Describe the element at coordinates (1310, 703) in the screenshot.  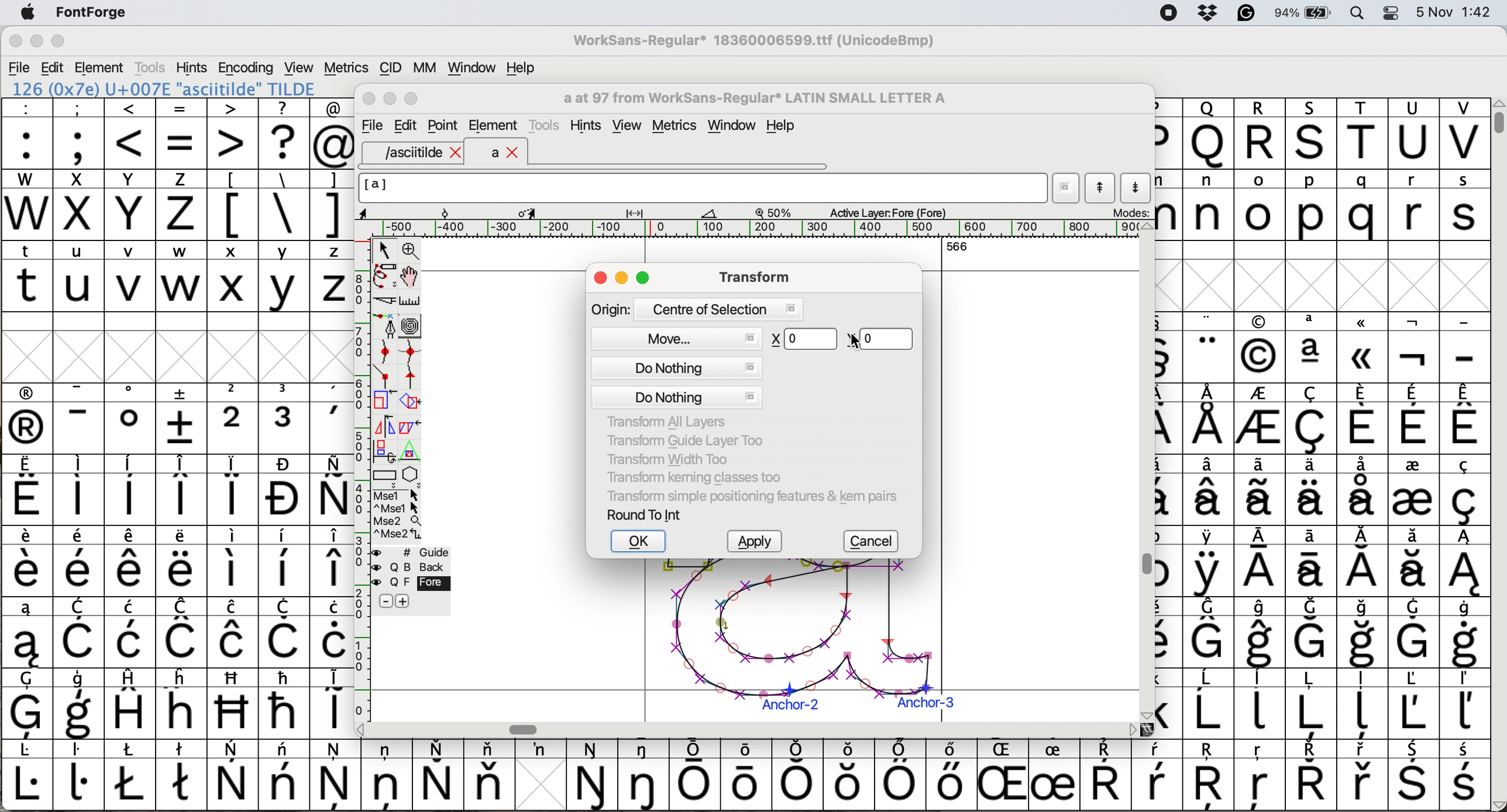
I see `symbol` at that location.